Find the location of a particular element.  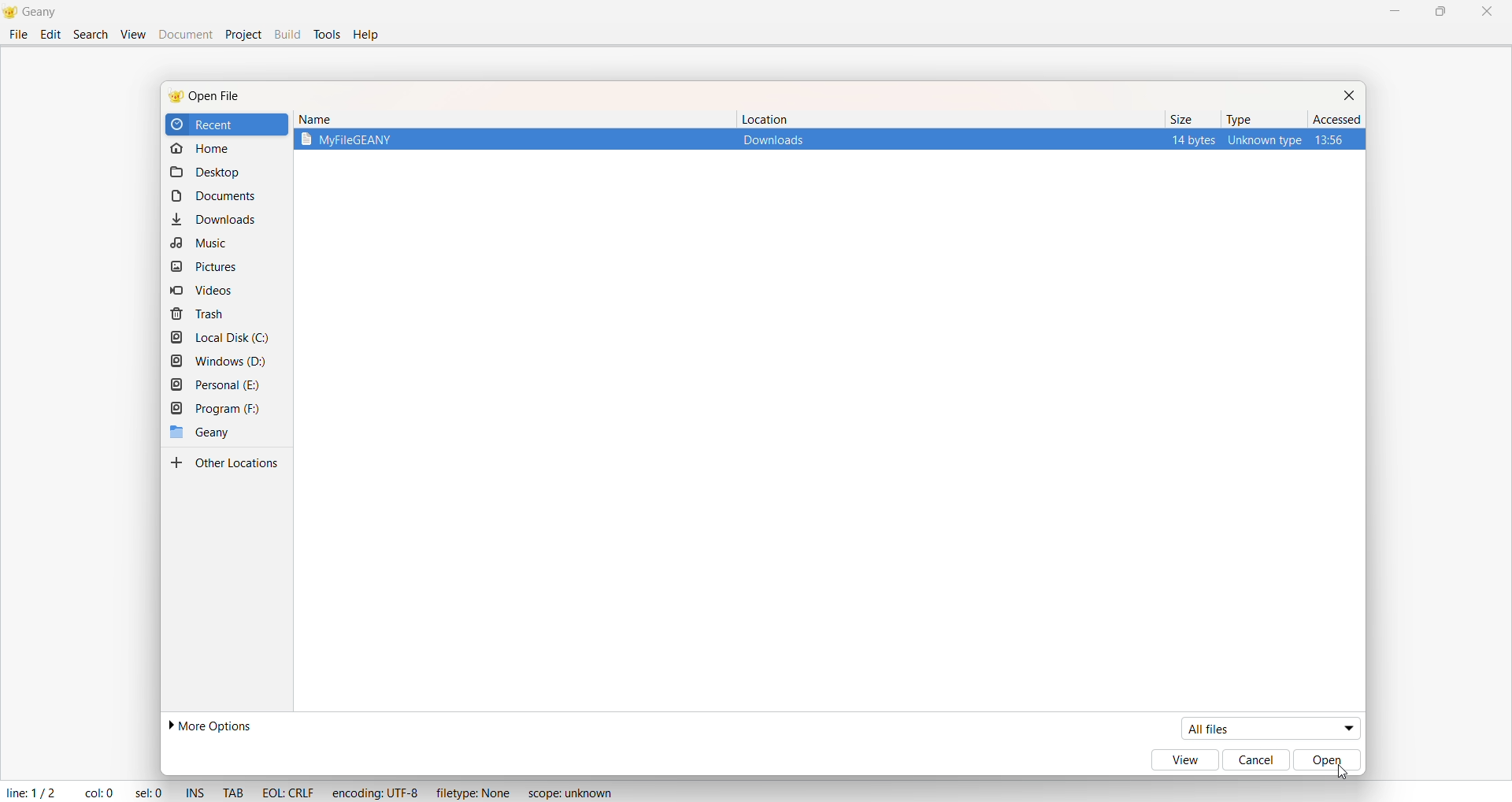

view is located at coordinates (1180, 760).